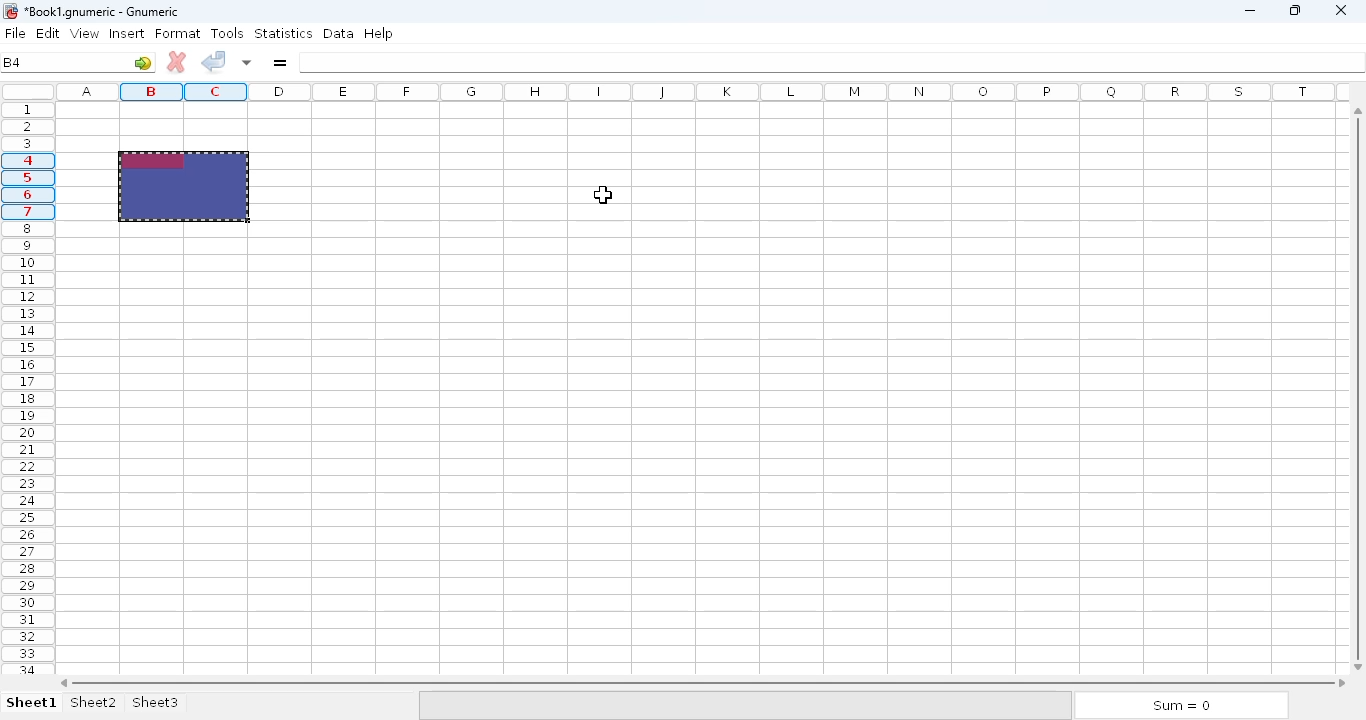 This screenshot has height=720, width=1366. I want to click on help, so click(378, 34).